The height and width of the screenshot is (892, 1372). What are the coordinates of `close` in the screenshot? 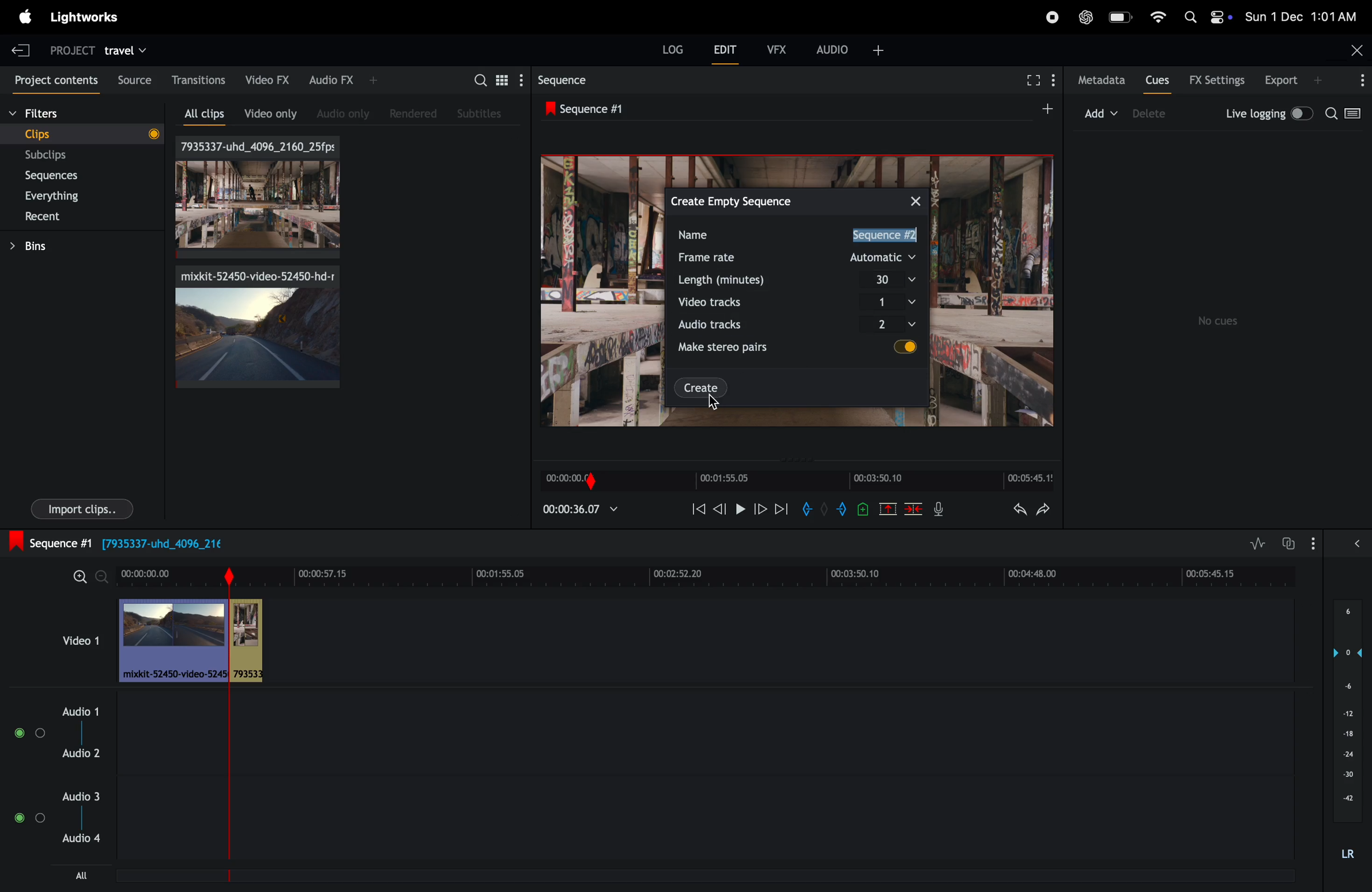 It's located at (1357, 48).